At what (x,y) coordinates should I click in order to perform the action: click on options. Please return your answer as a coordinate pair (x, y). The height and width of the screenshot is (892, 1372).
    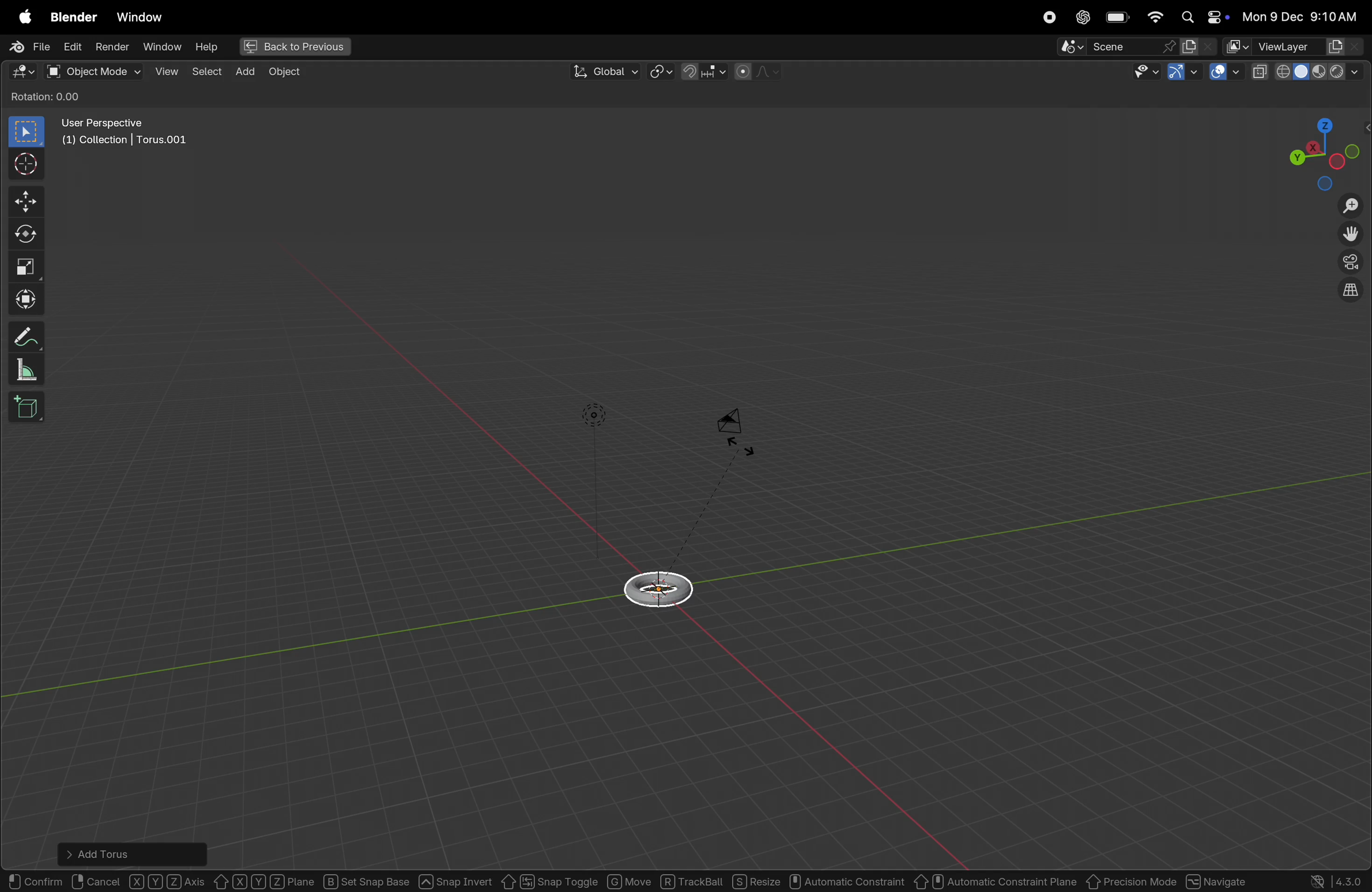
    Looking at the image, I should click on (1335, 97).